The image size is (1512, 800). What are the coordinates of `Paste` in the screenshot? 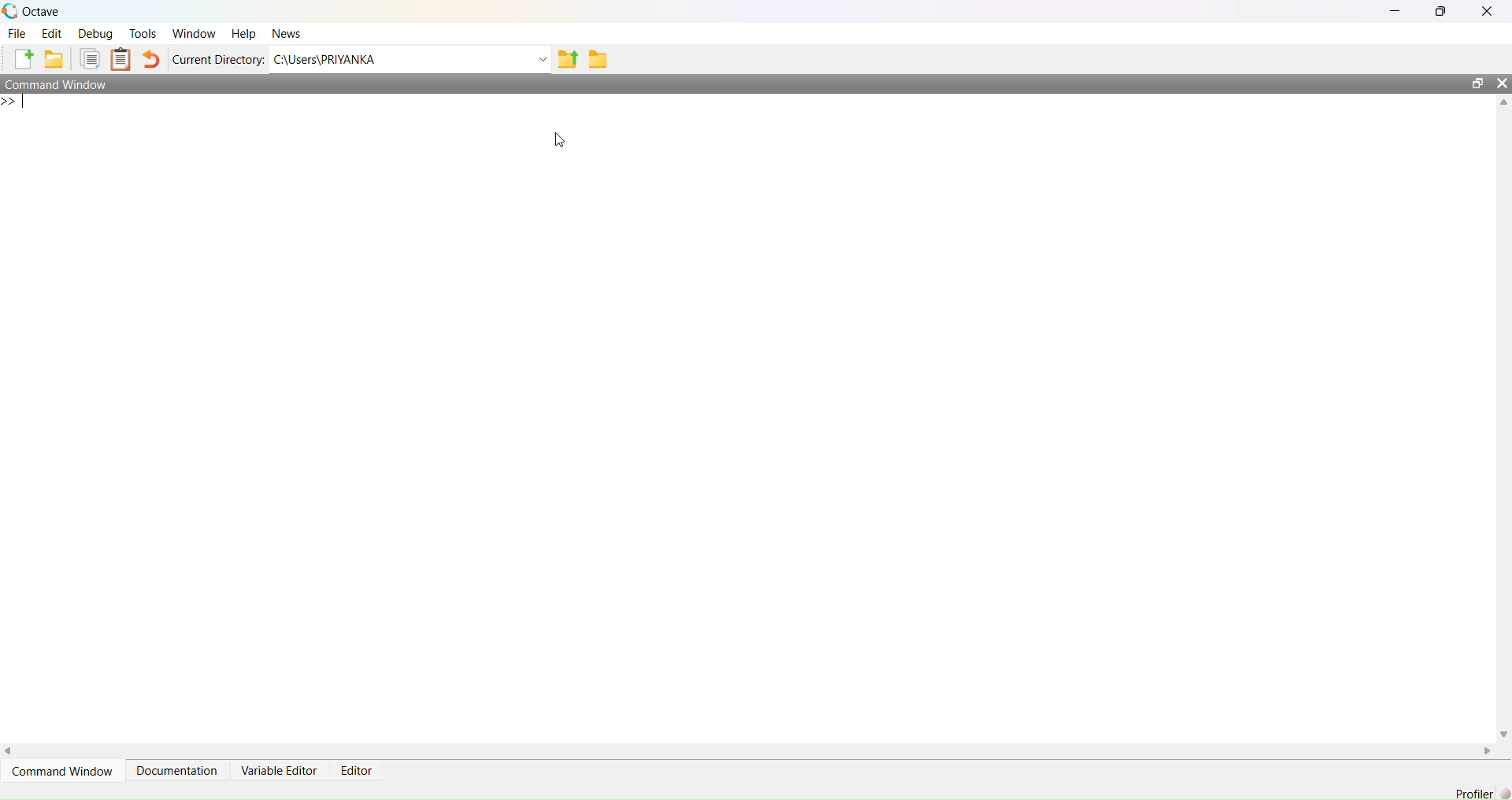 It's located at (121, 59).